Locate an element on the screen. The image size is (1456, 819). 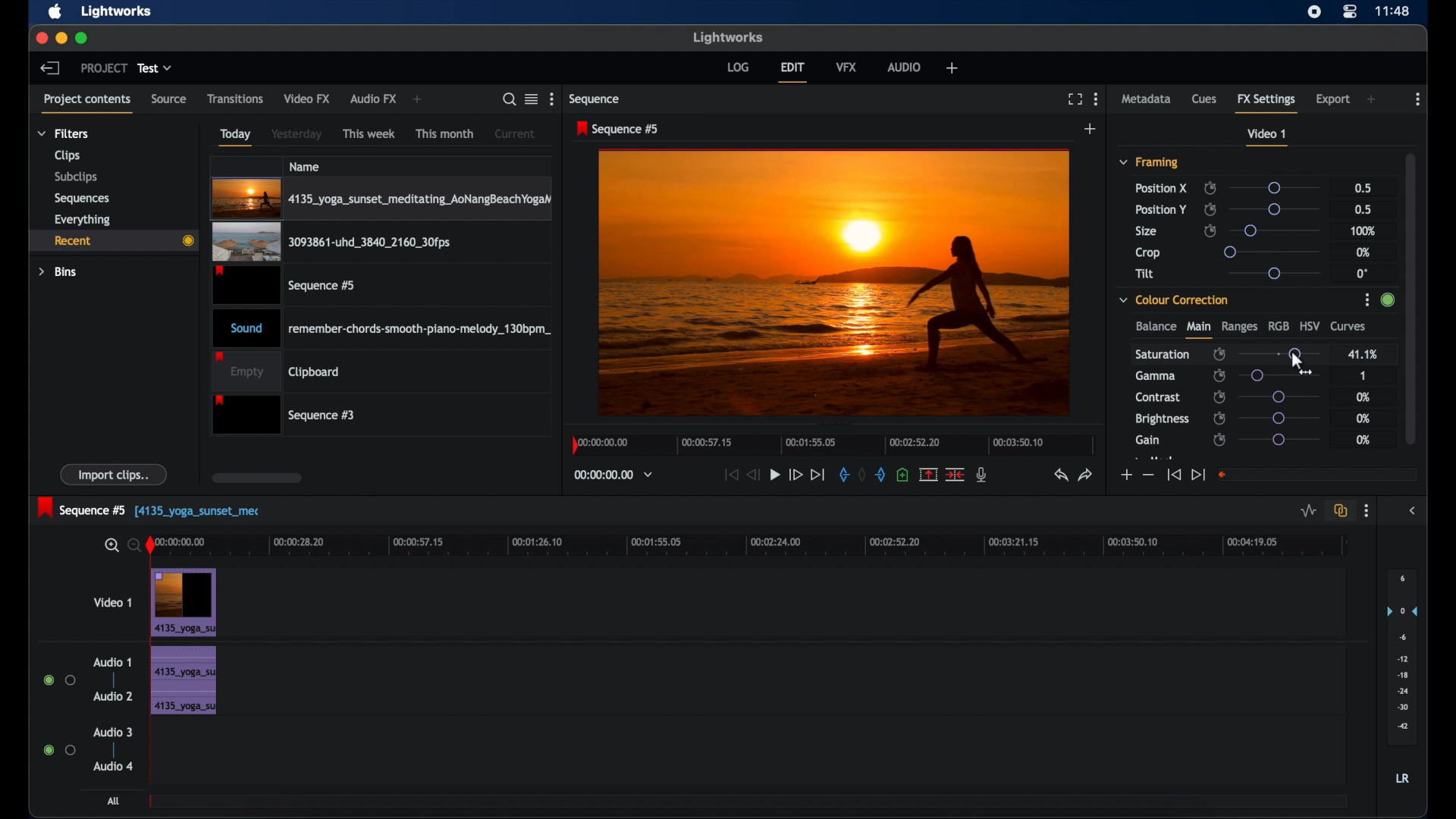
41.1% is located at coordinates (1362, 353).